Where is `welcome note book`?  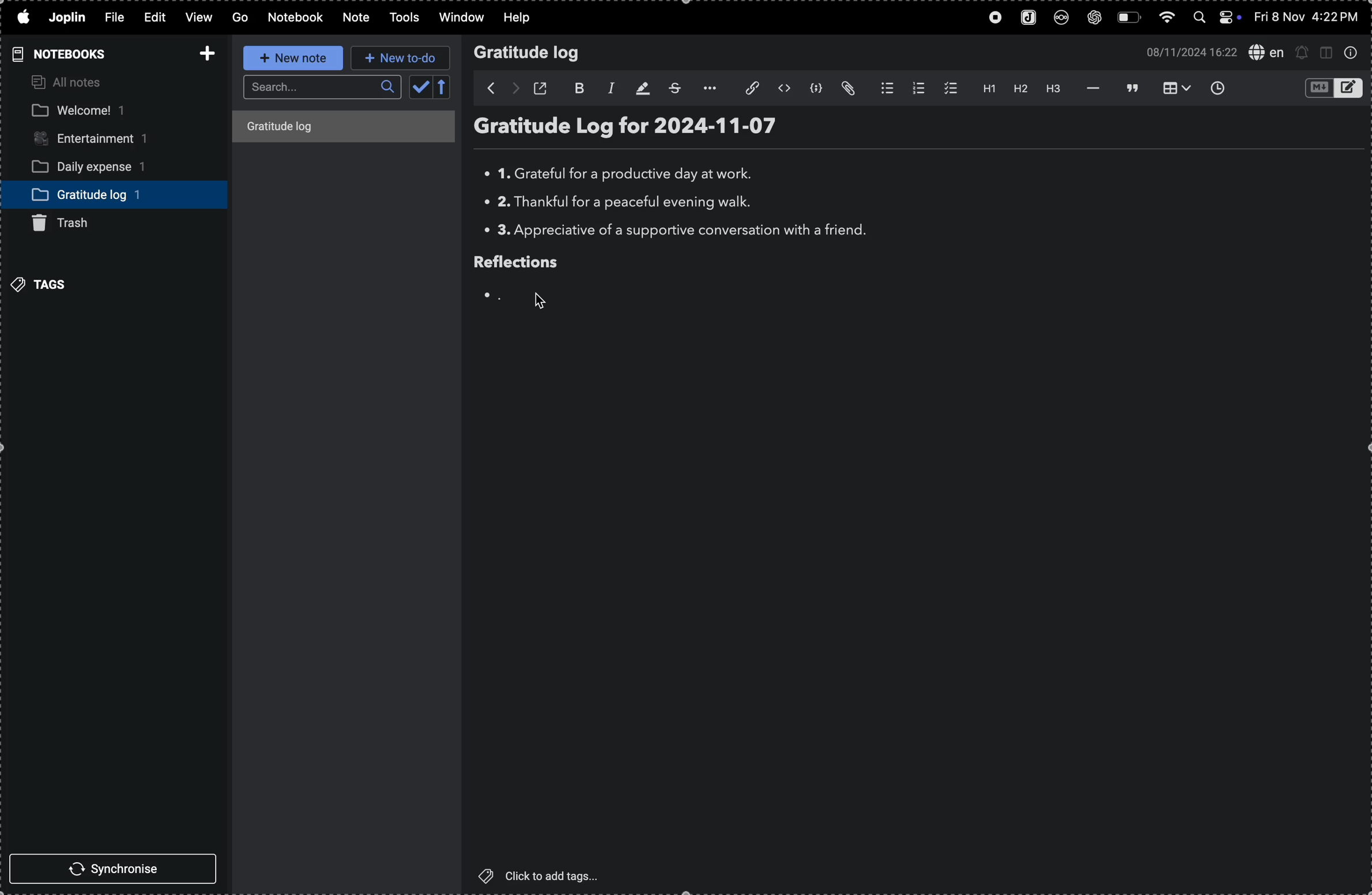 welcome note book is located at coordinates (87, 111).